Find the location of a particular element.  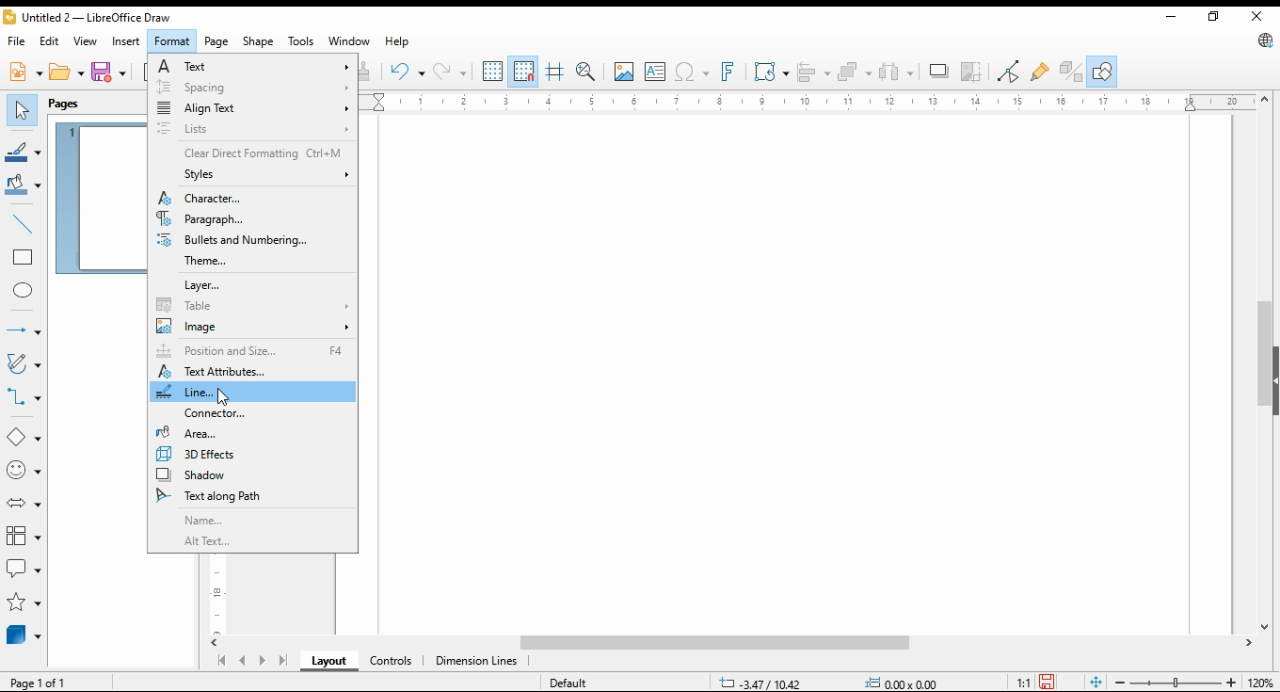

bullets and numbering is located at coordinates (251, 239).